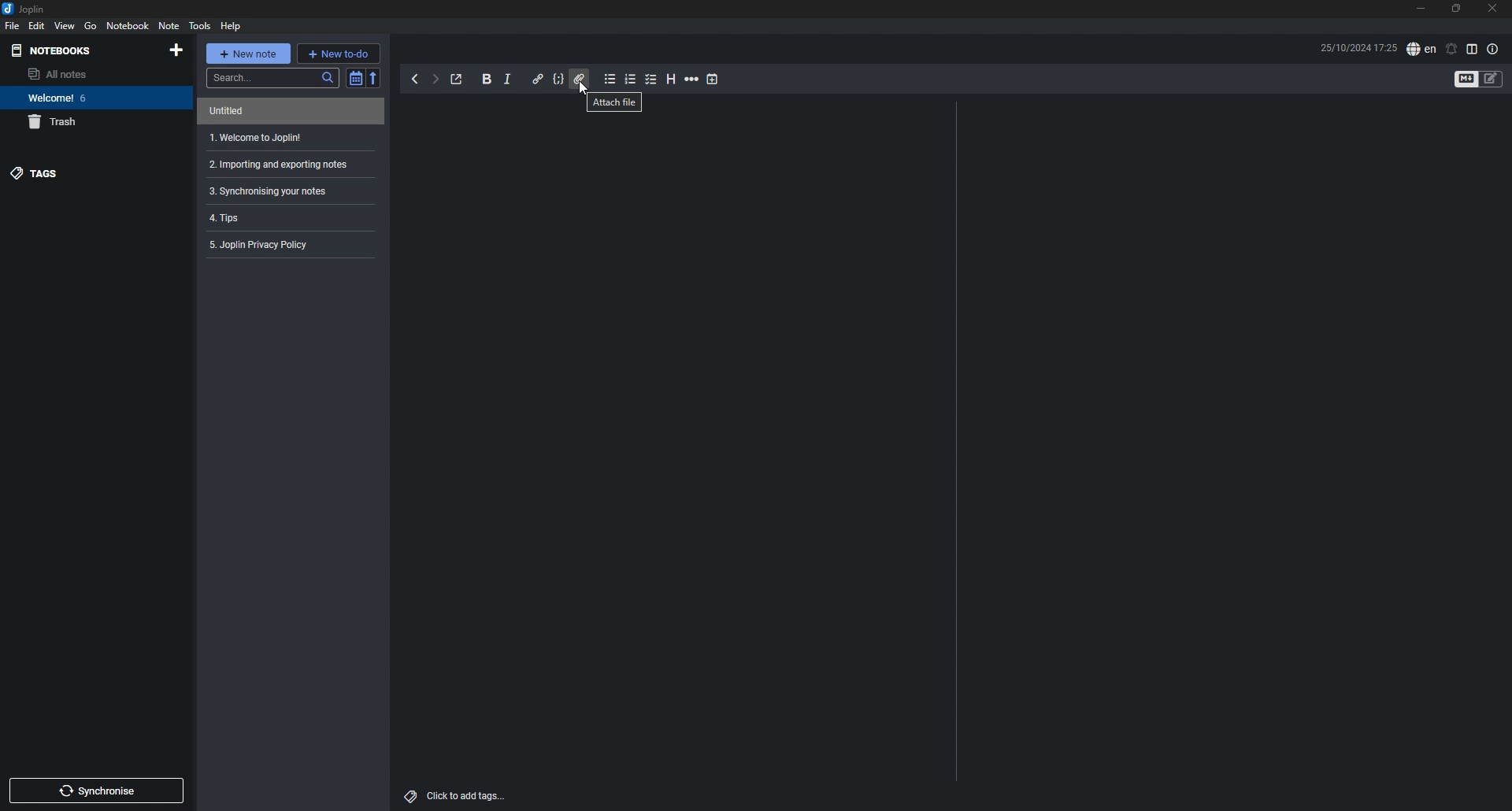  Describe the element at coordinates (1452, 50) in the screenshot. I see `set alarm` at that location.